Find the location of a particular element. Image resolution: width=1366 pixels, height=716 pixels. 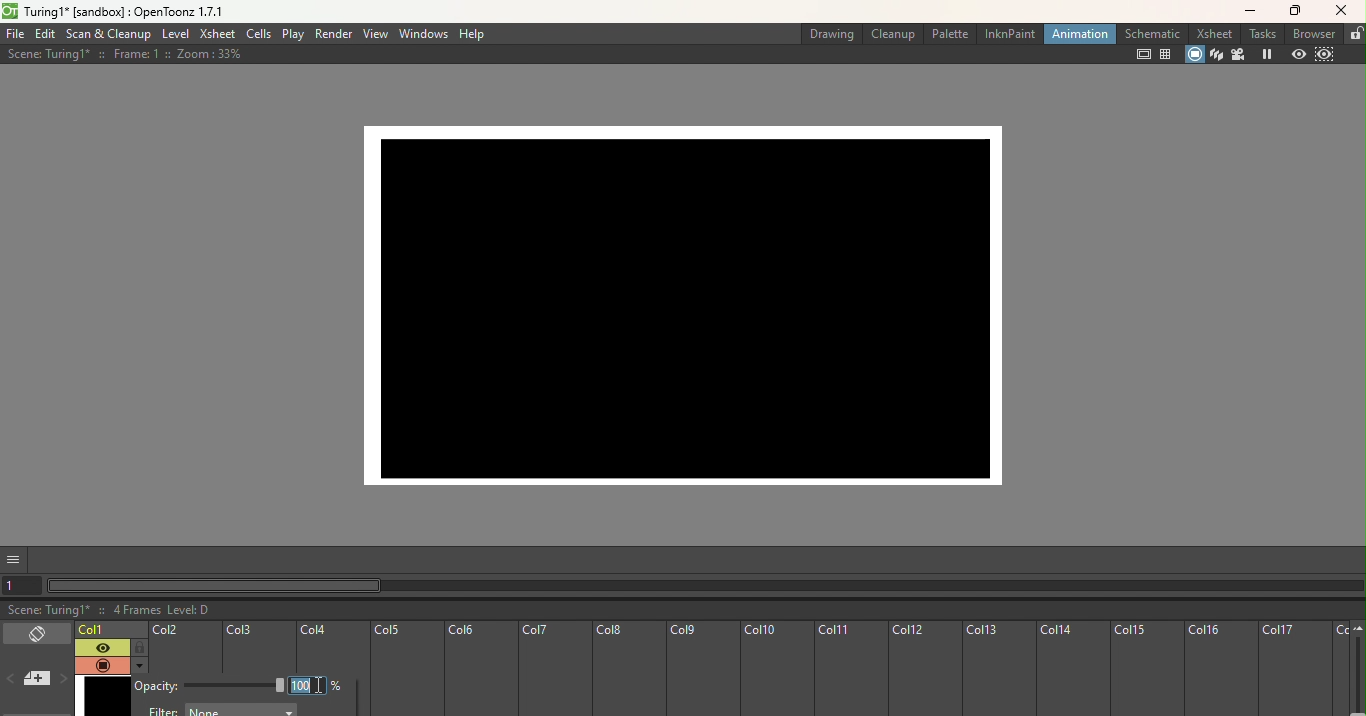

Col3 is located at coordinates (259, 648).